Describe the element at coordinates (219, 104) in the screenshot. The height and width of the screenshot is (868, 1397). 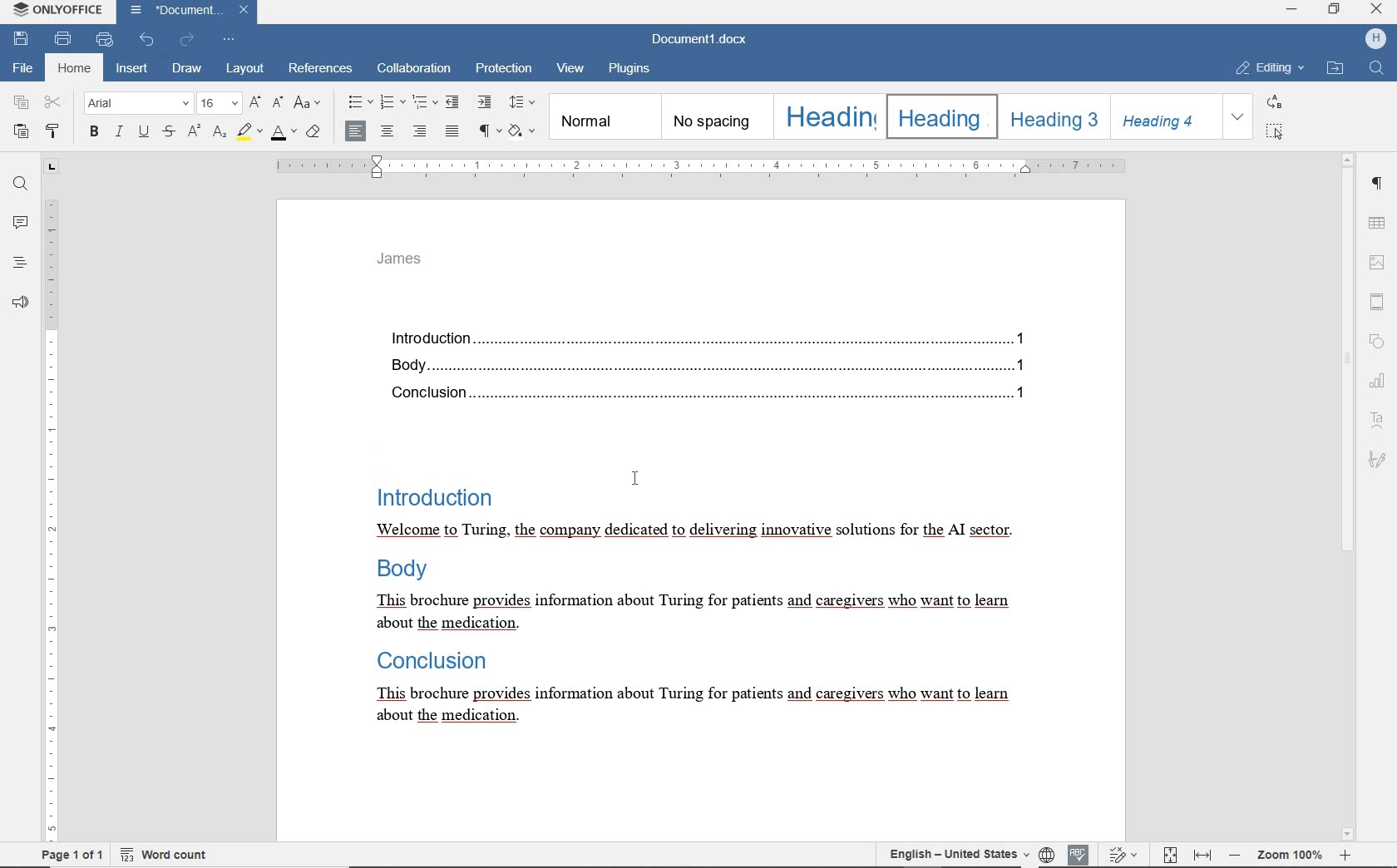
I see `font size` at that location.